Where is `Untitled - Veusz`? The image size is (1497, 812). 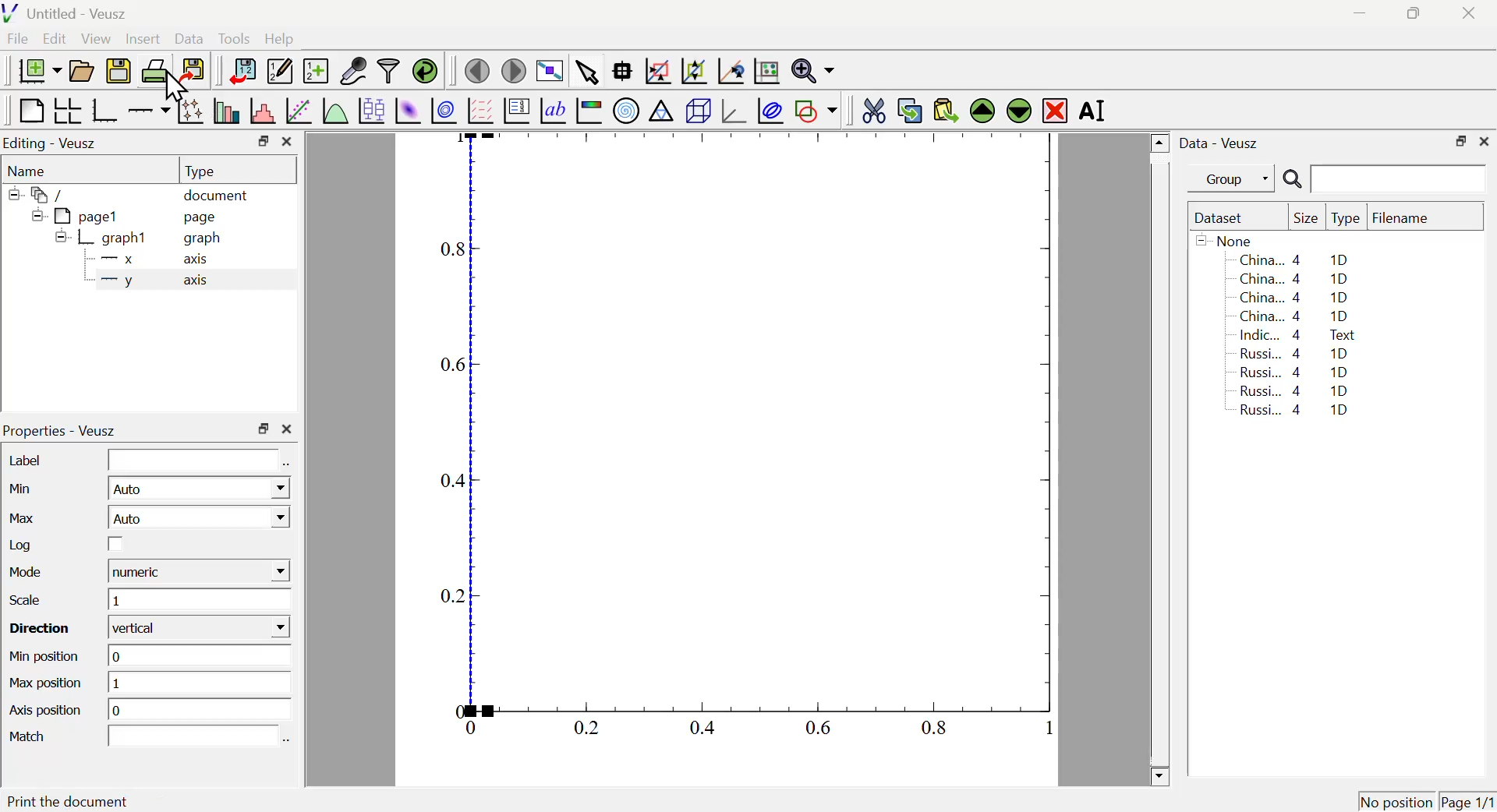 Untitled - Veusz is located at coordinates (69, 15).